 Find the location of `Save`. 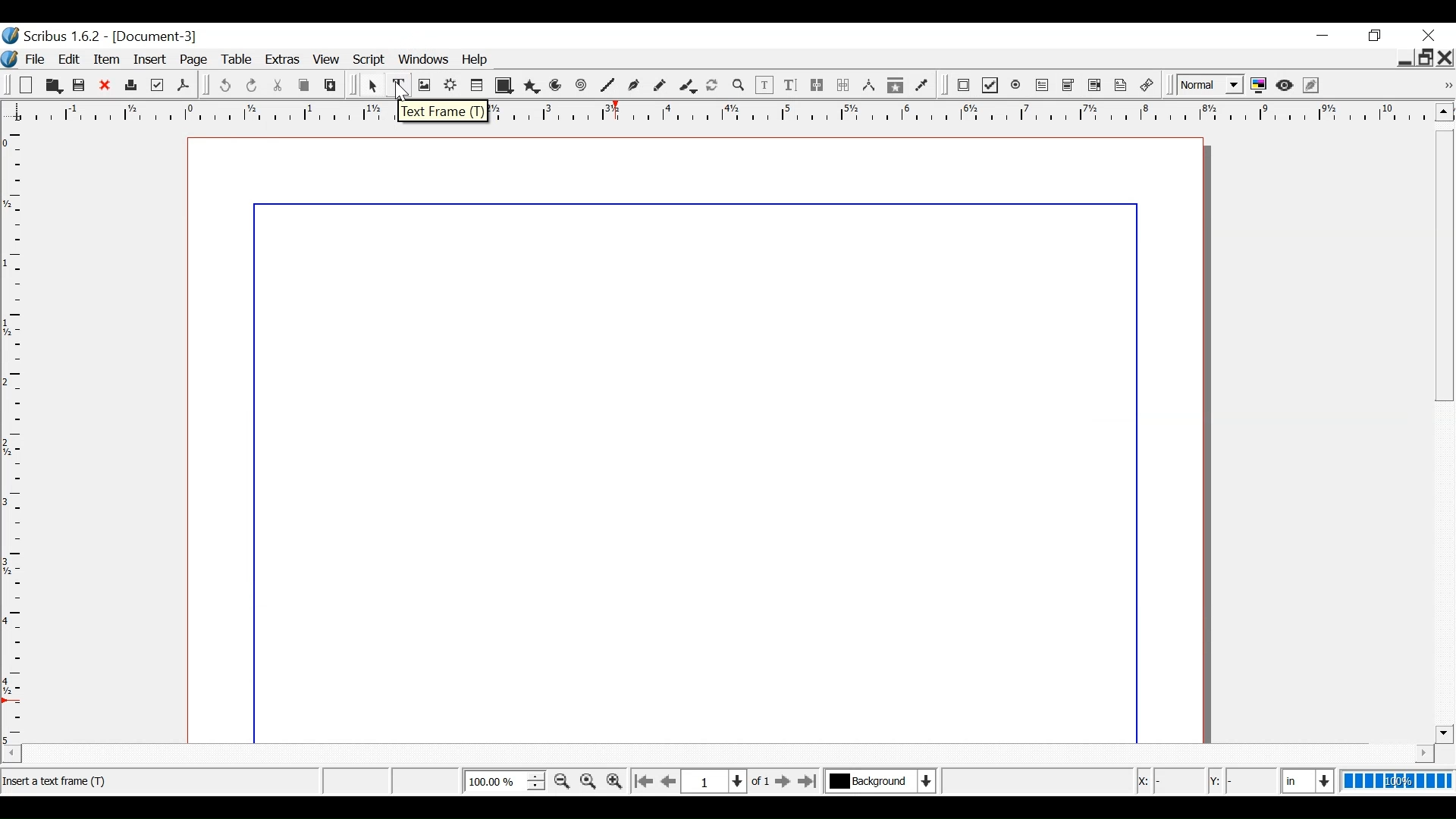

Save is located at coordinates (80, 84).